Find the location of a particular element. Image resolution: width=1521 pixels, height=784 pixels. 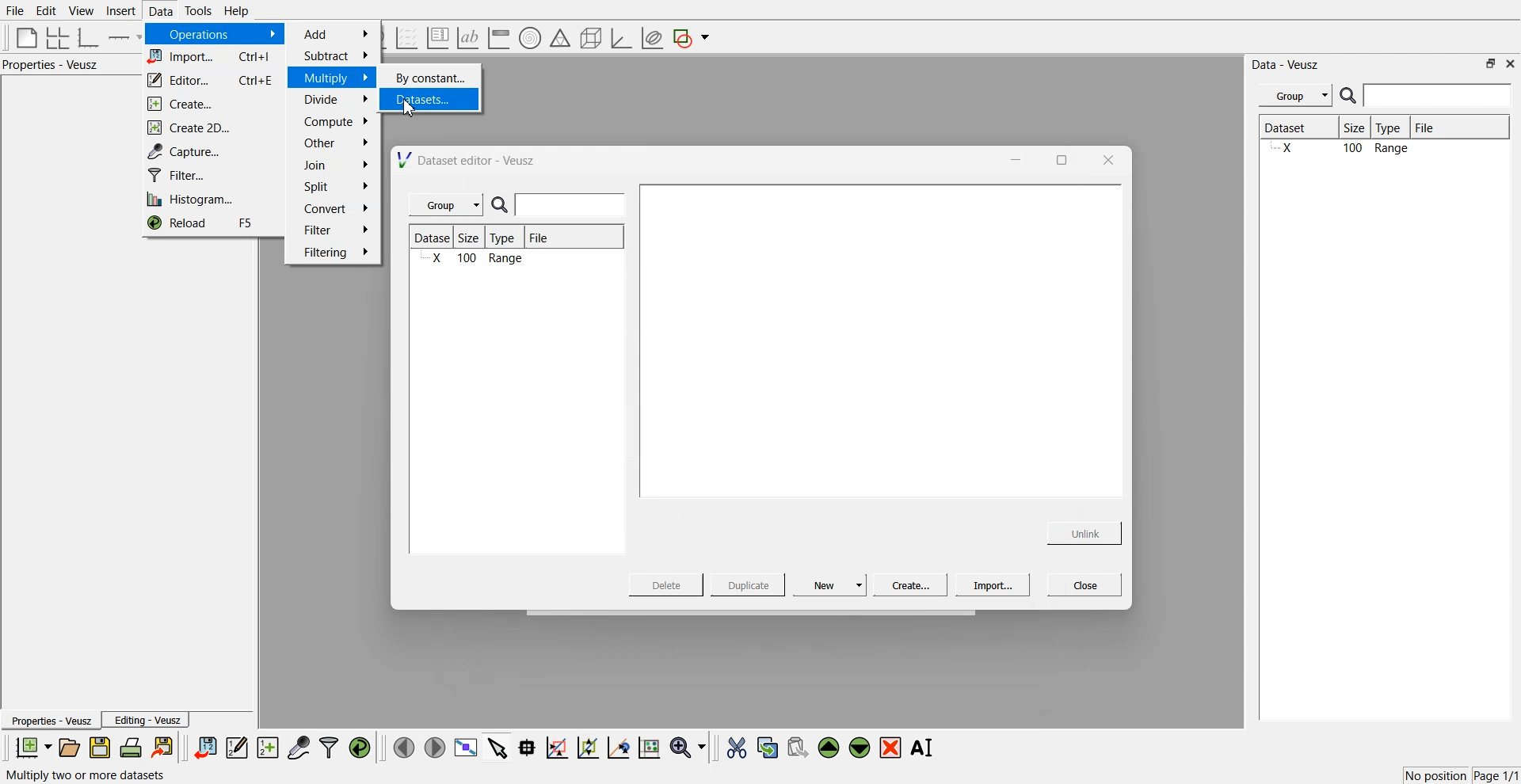

Duplicate is located at coordinates (748, 586).